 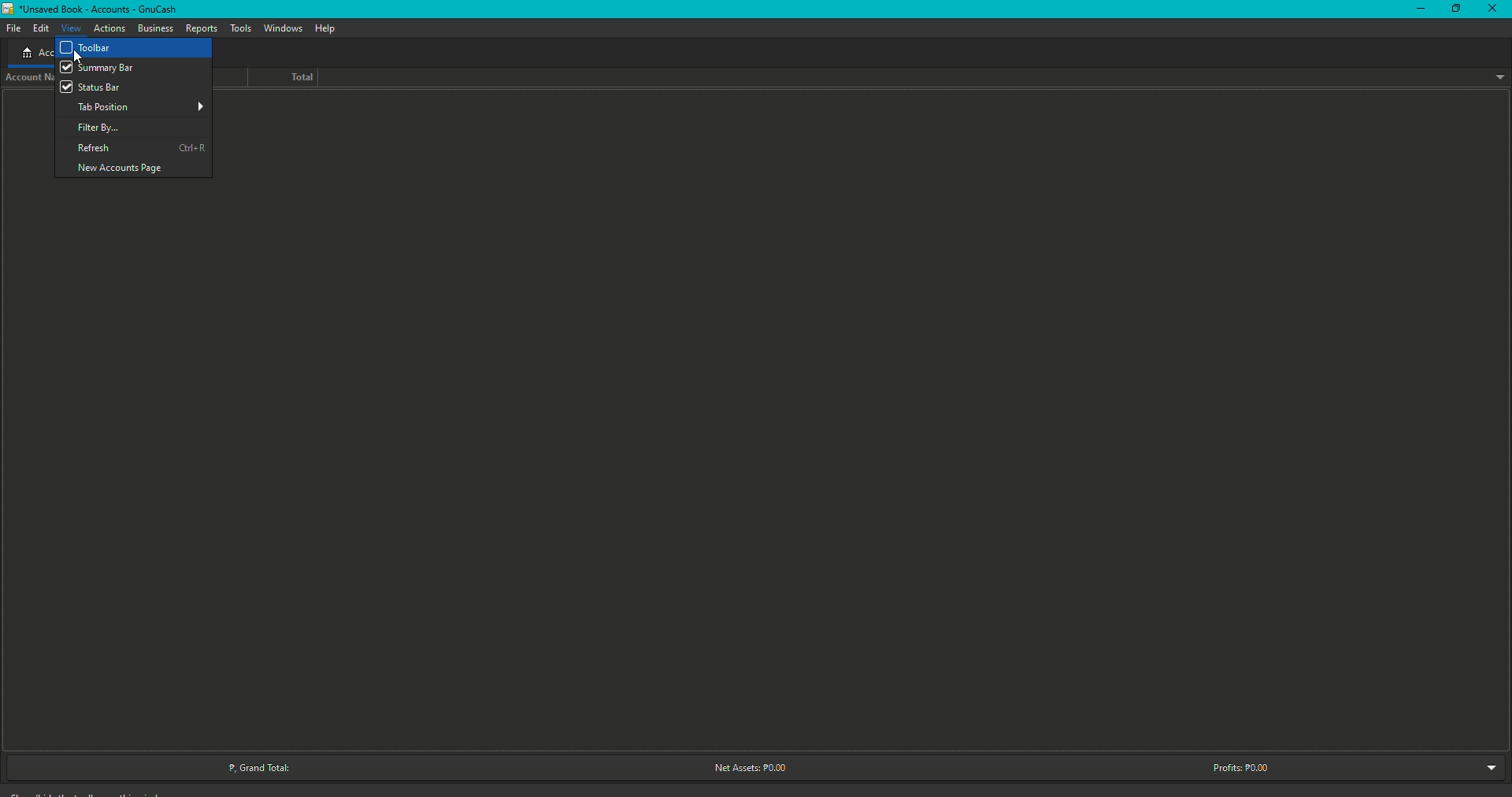 I want to click on Help, so click(x=328, y=29).